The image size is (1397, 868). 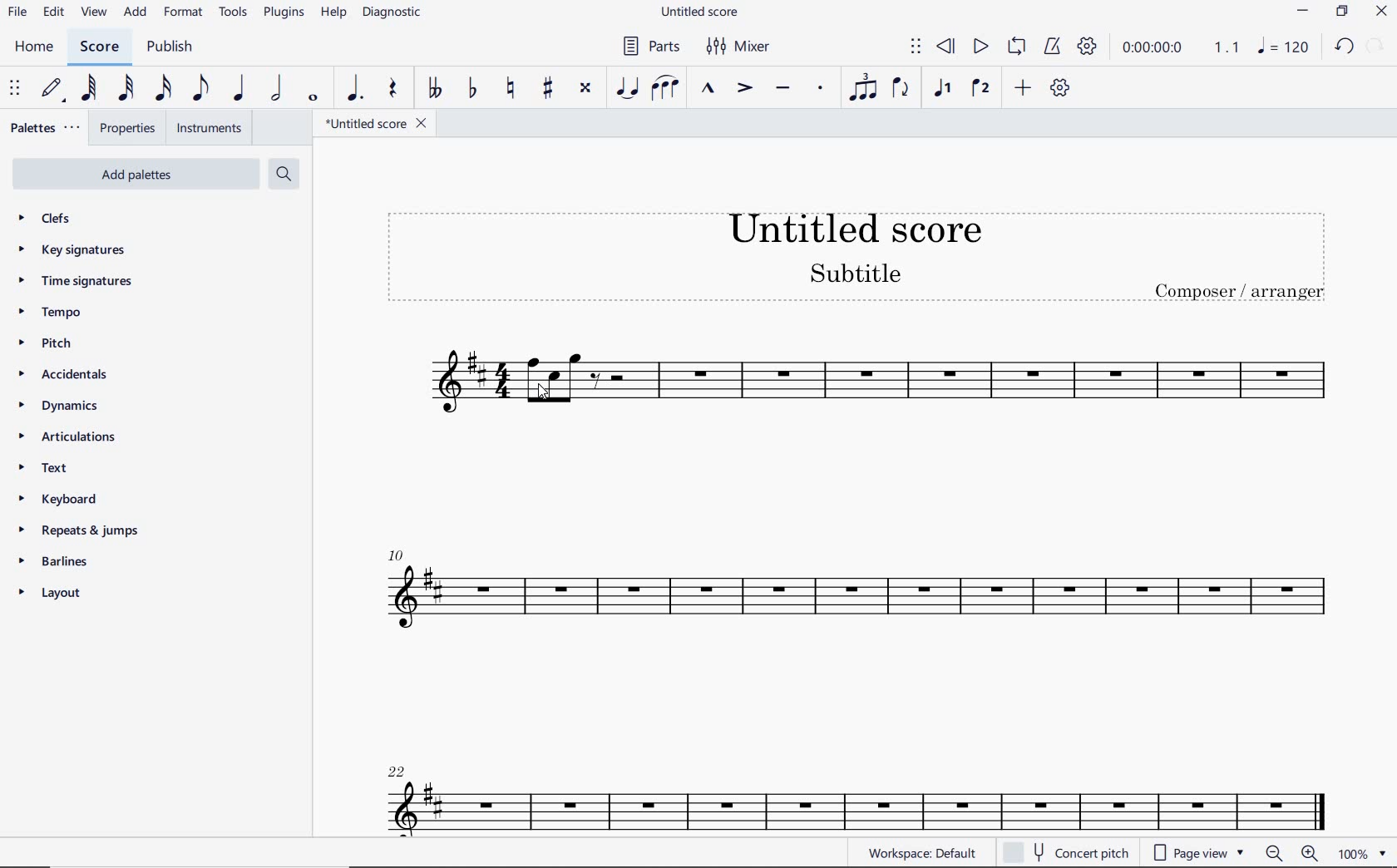 I want to click on METRONOME, so click(x=1054, y=47).